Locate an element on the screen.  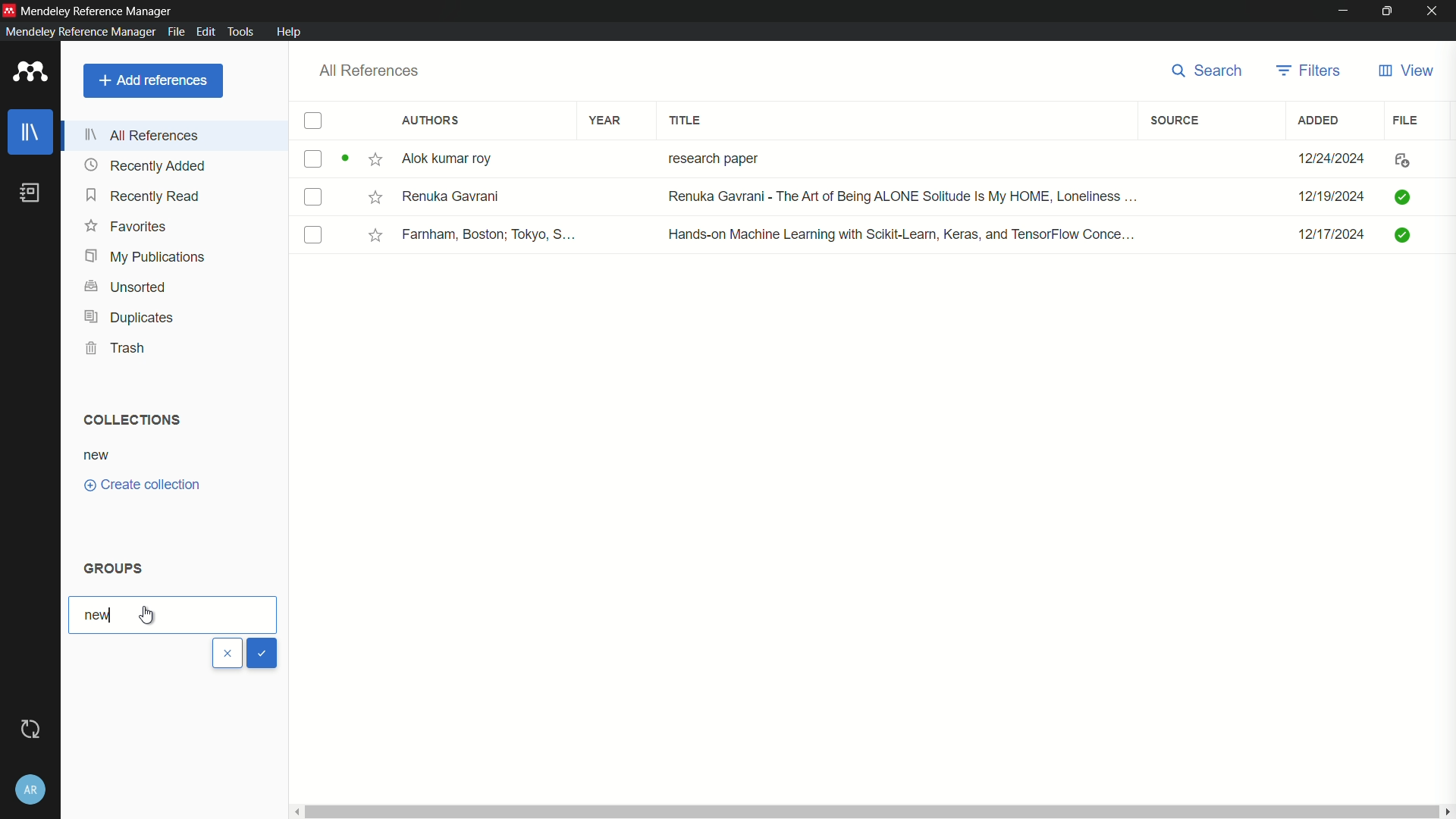
sync is located at coordinates (29, 730).